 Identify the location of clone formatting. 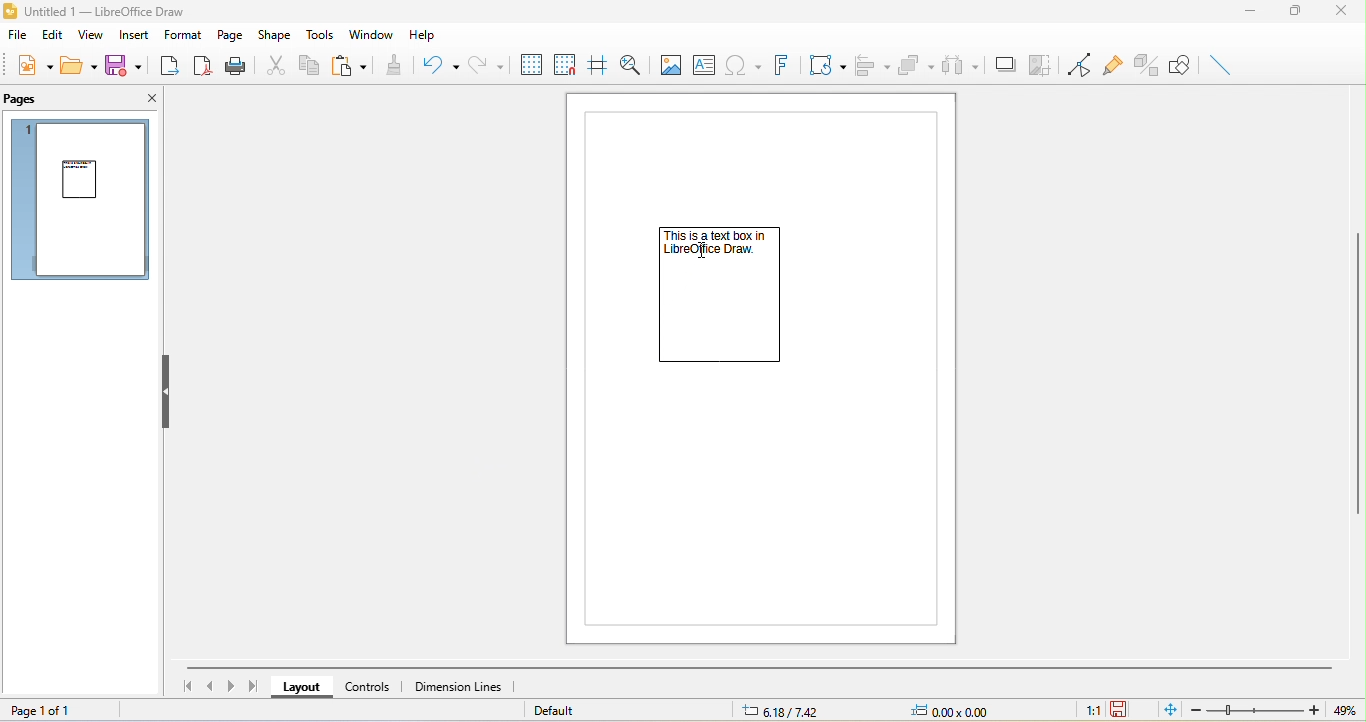
(400, 65).